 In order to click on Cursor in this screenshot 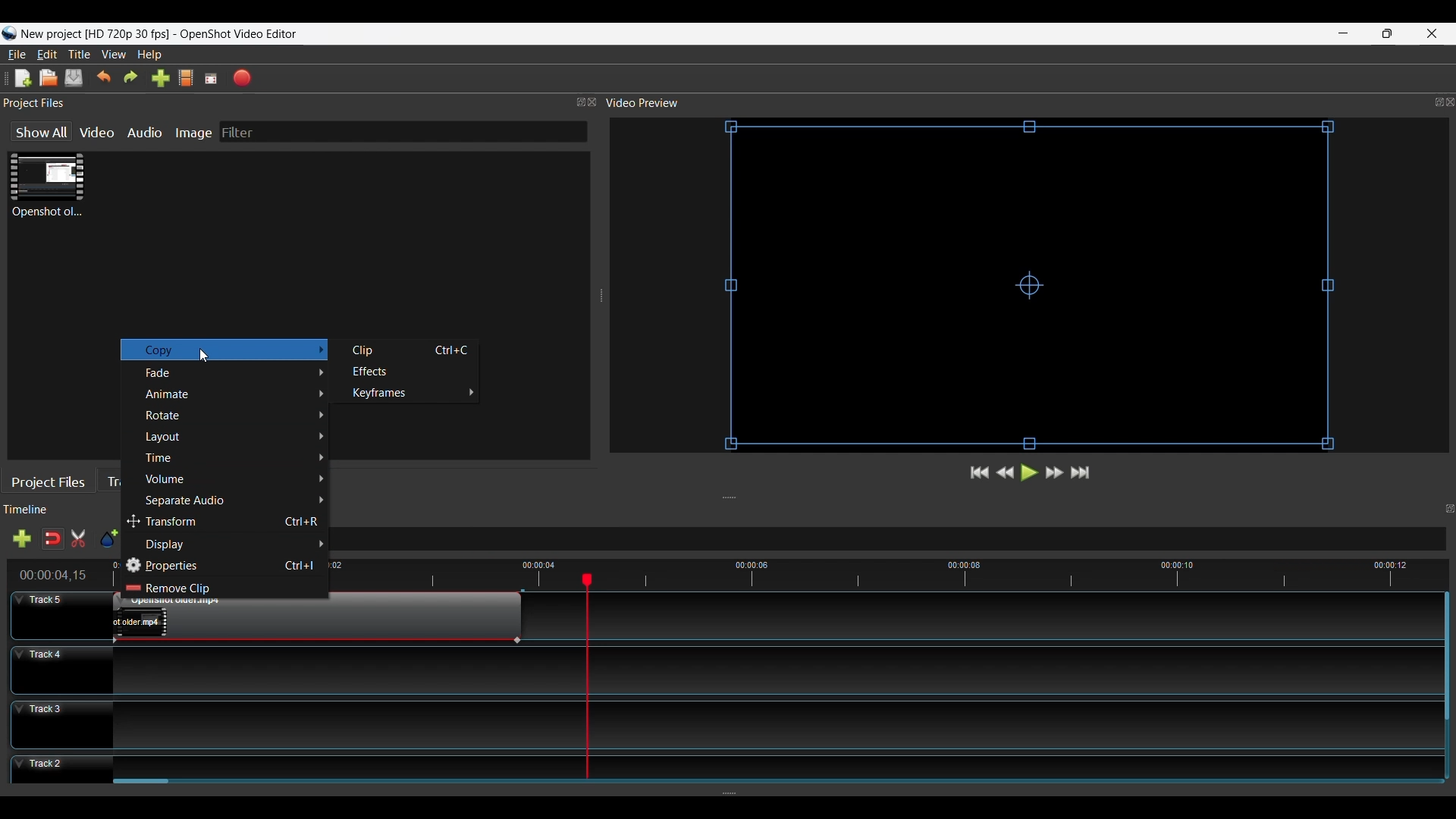, I will do `click(207, 357)`.